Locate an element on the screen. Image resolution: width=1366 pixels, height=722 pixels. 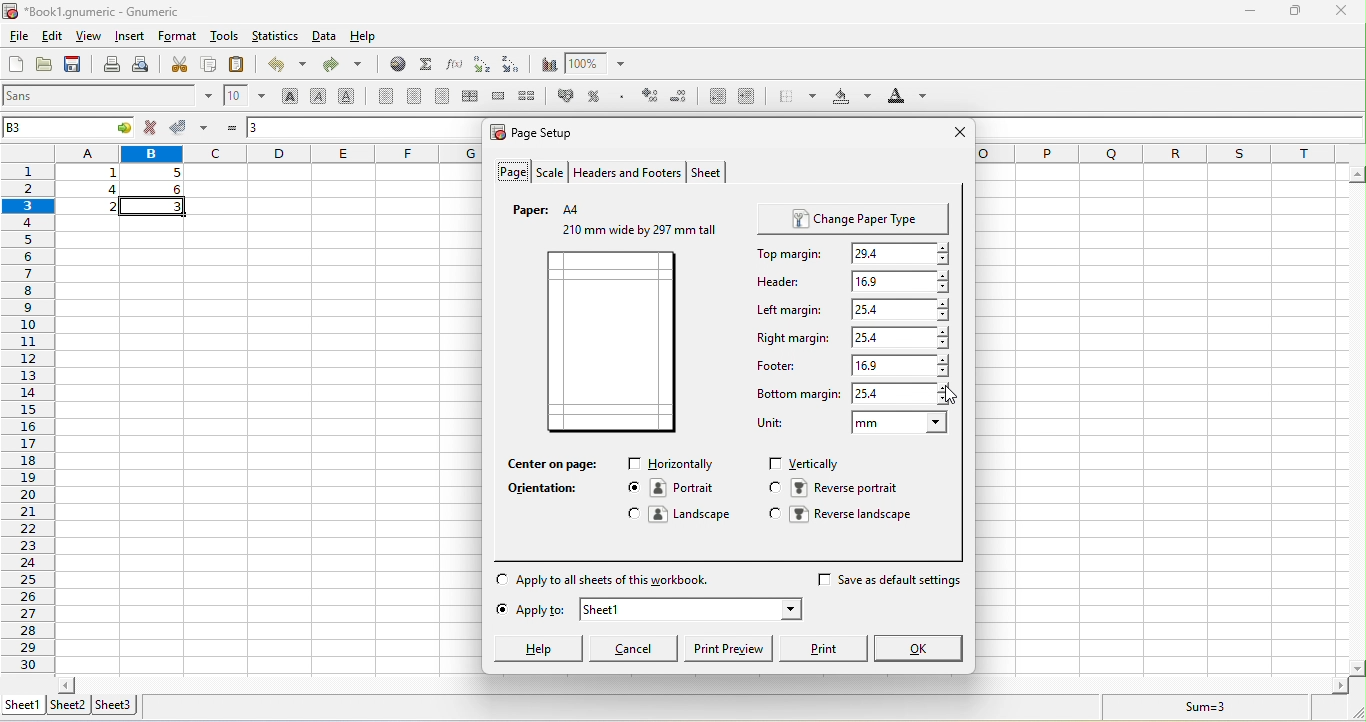
apply to is located at coordinates (527, 613).